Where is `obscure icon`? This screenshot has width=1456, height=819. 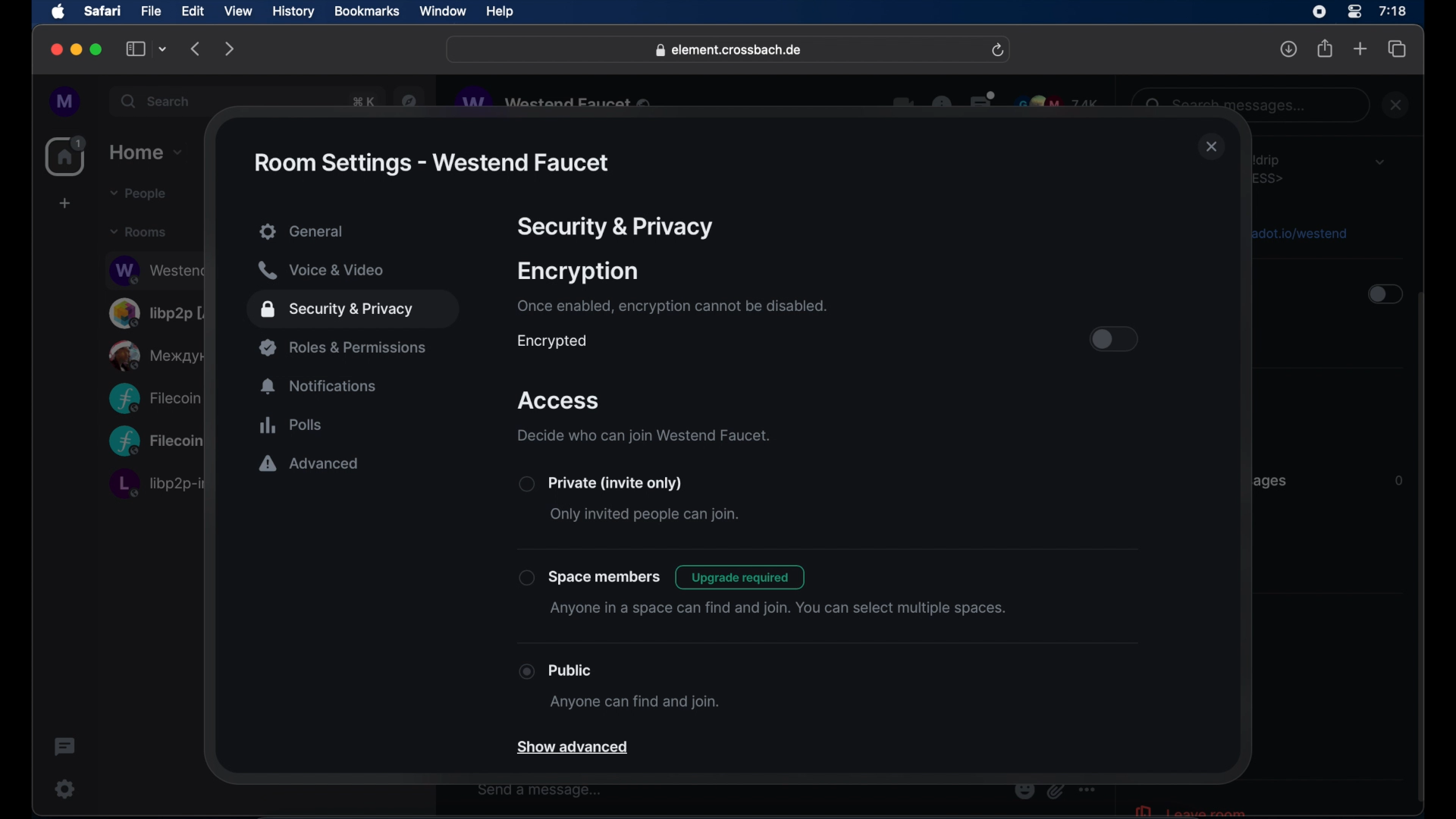
obscure icon is located at coordinates (1055, 790).